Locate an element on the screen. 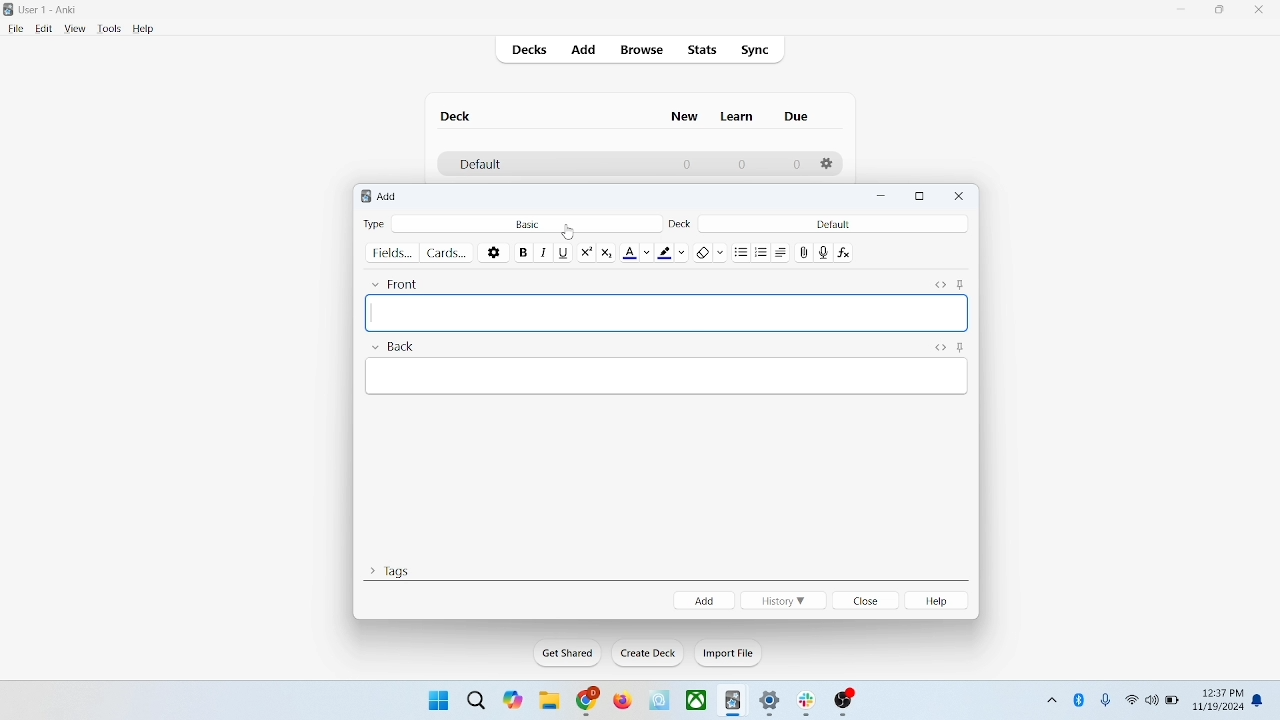 The width and height of the screenshot is (1280, 720). cards is located at coordinates (446, 253).